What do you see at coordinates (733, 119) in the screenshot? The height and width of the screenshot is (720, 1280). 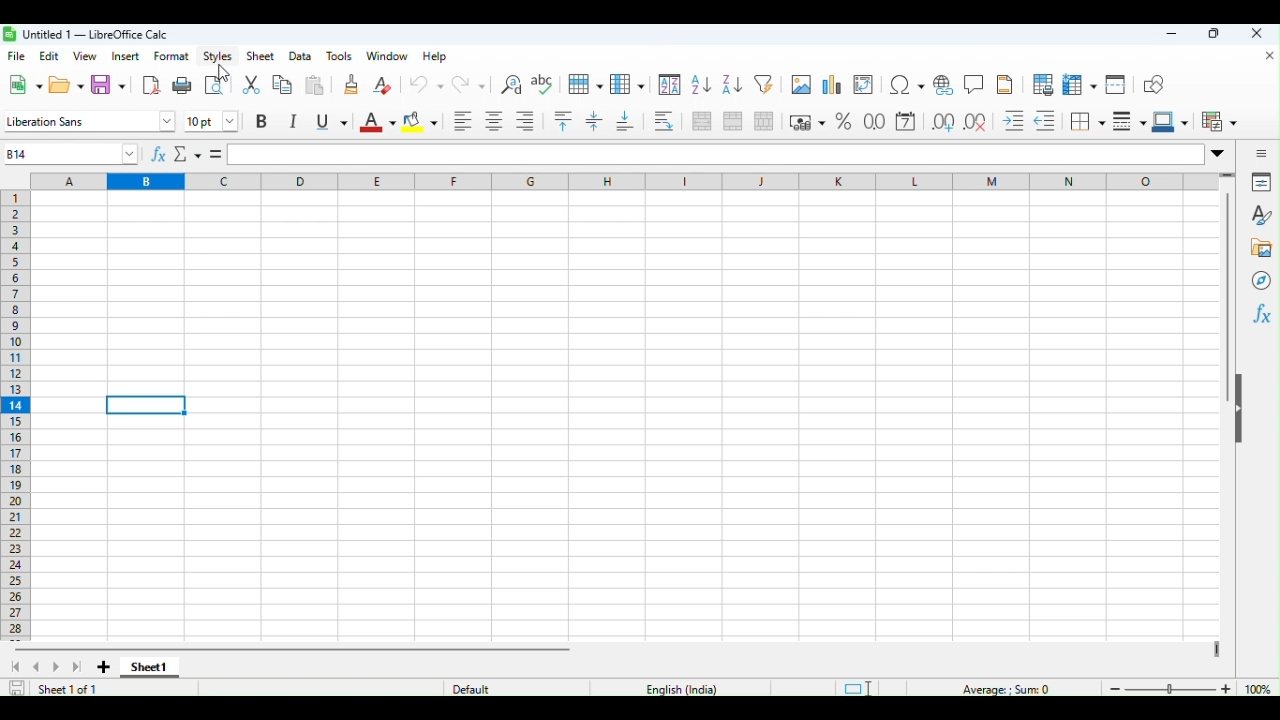 I see `Merging` at bounding box center [733, 119].